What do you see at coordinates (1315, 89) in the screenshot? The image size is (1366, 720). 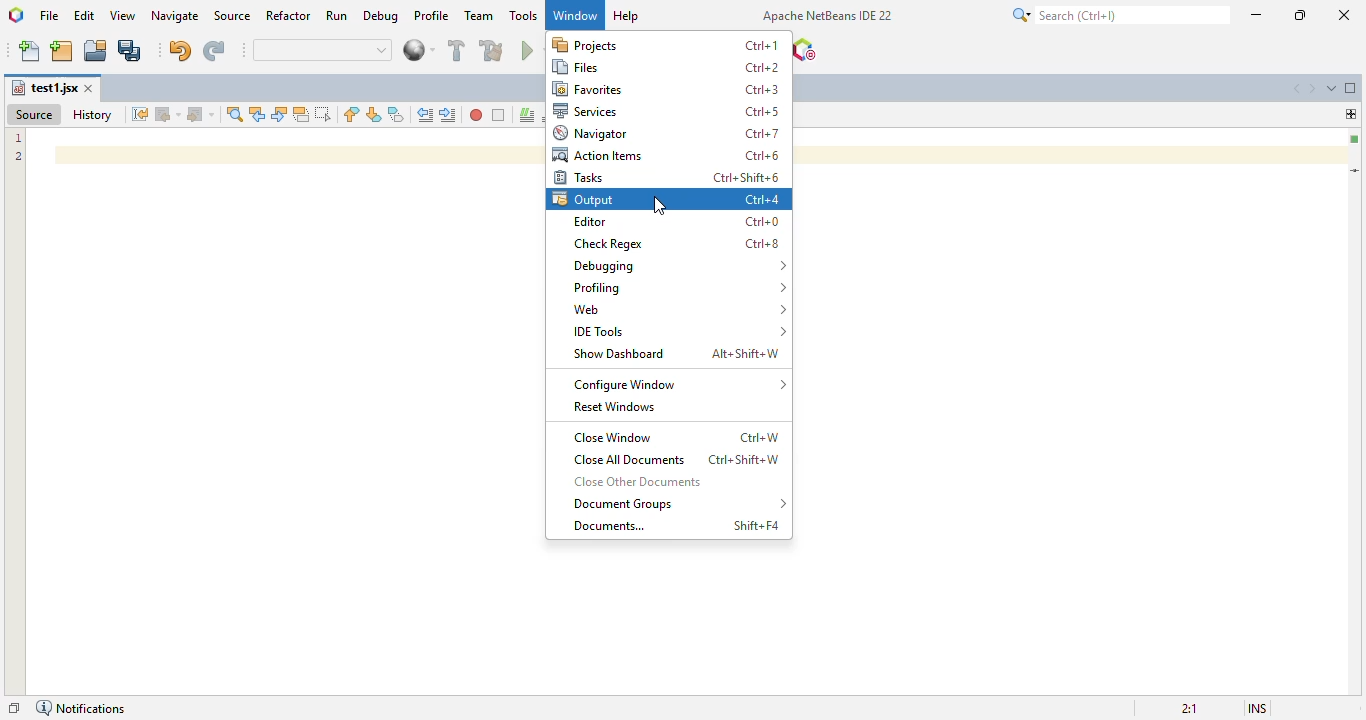 I see `scroll documents right` at bounding box center [1315, 89].